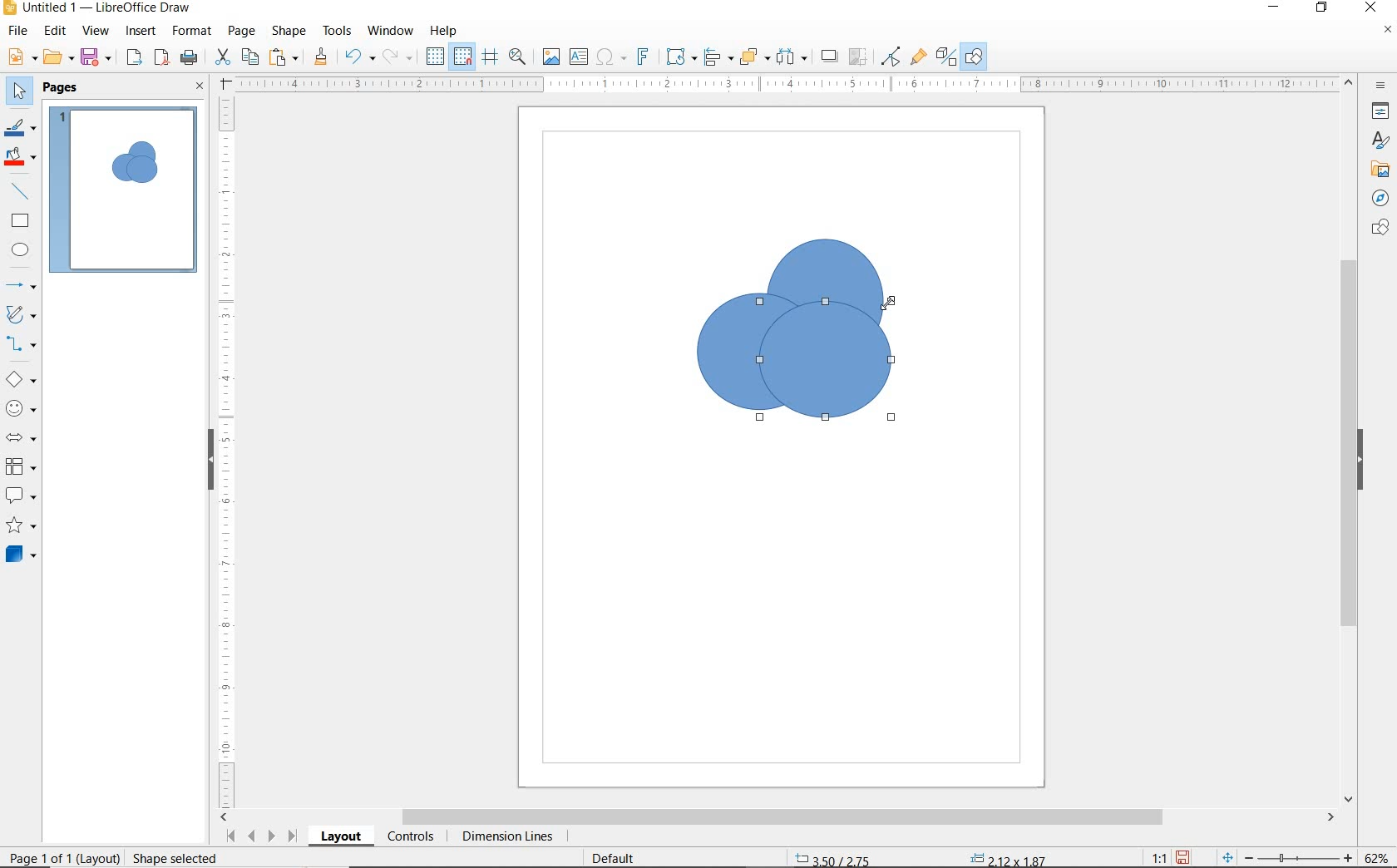 This screenshot has height=868, width=1397. Describe the element at coordinates (1377, 235) in the screenshot. I see `CHATS` at that location.